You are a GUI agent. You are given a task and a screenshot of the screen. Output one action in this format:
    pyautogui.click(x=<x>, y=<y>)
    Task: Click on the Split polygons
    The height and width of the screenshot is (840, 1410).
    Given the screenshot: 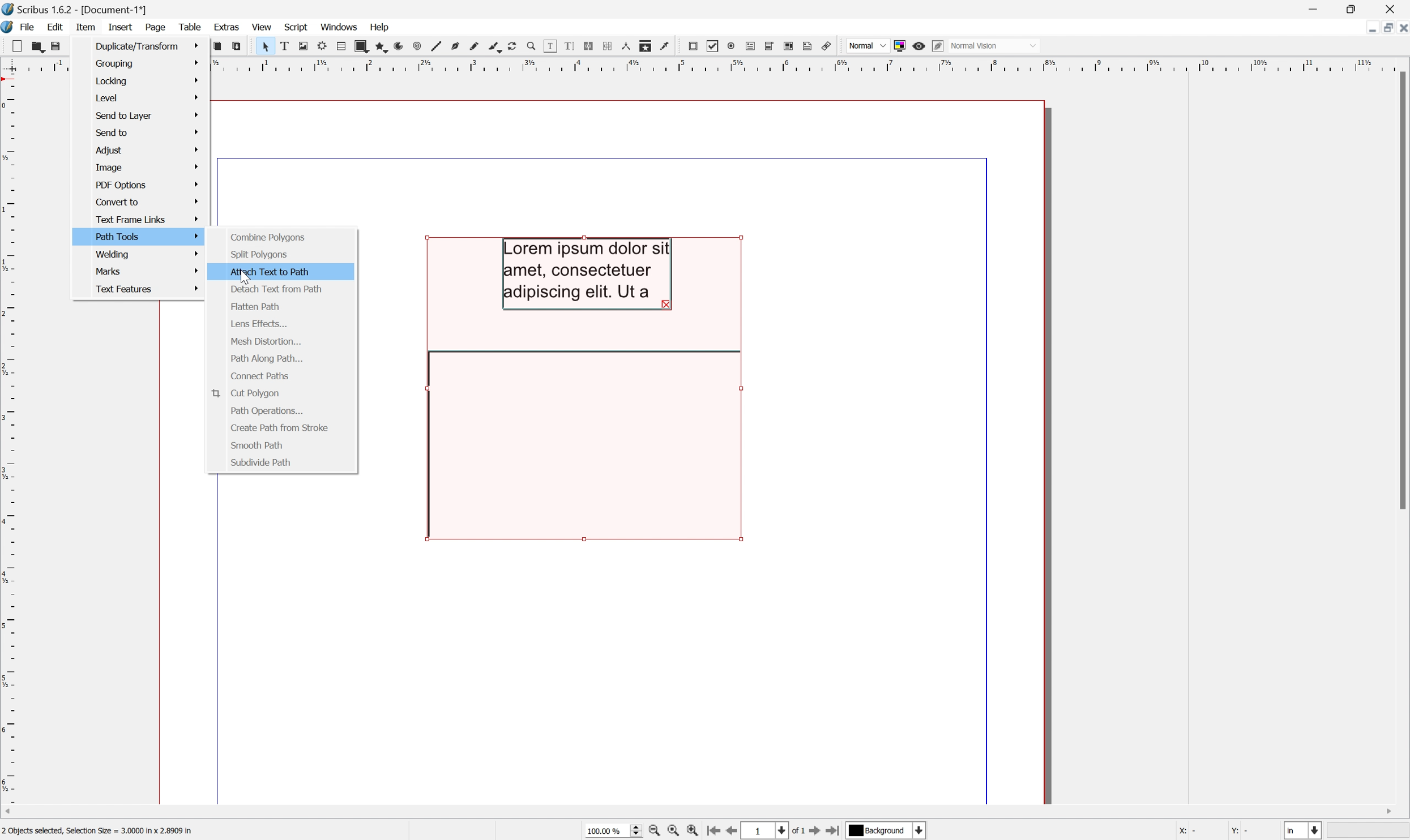 What is the action you would take?
    pyautogui.click(x=257, y=255)
    